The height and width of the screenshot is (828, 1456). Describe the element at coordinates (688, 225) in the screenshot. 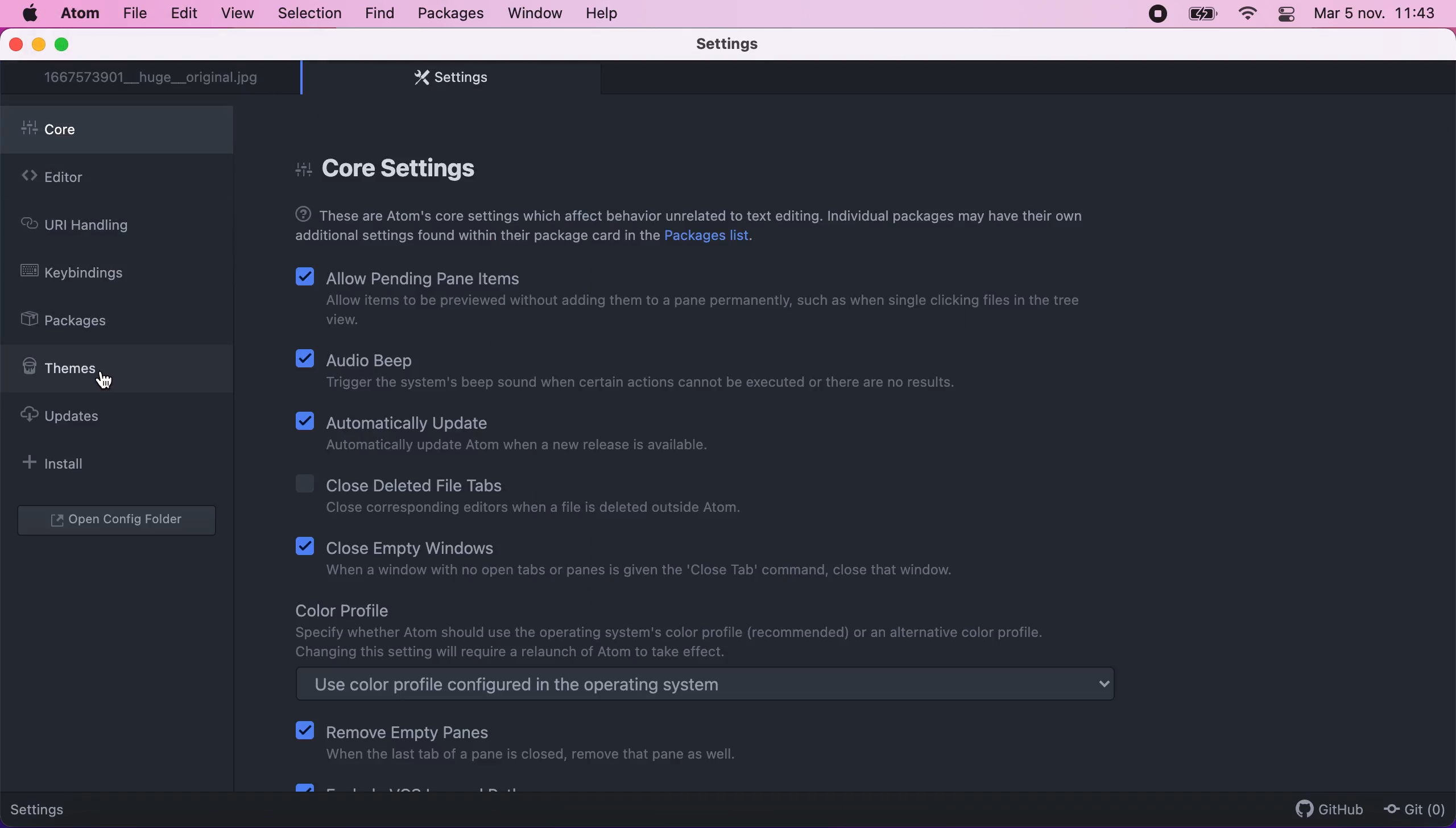

I see `These are Atom's core settings which affect behavior unrelated to text editing. Individual packages may have their own additional settings found within their package card in the Packages list.` at that location.